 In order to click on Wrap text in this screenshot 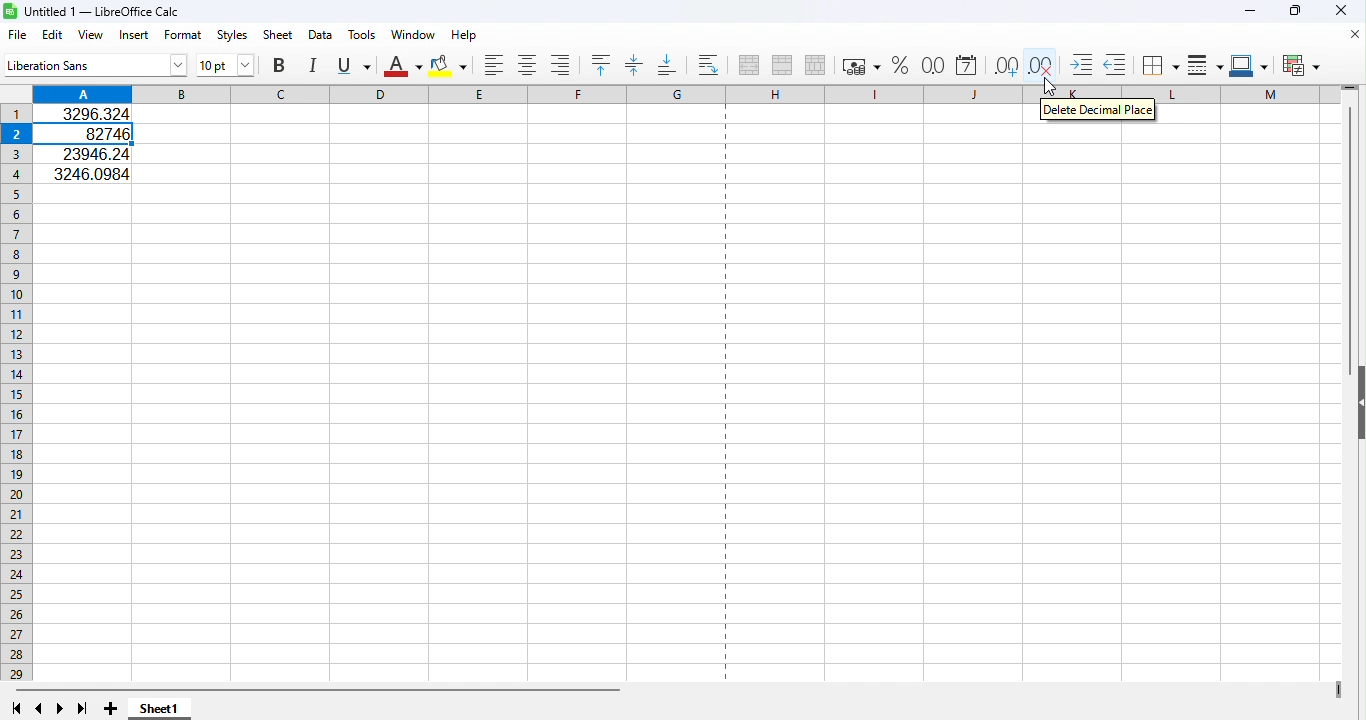, I will do `click(710, 62)`.